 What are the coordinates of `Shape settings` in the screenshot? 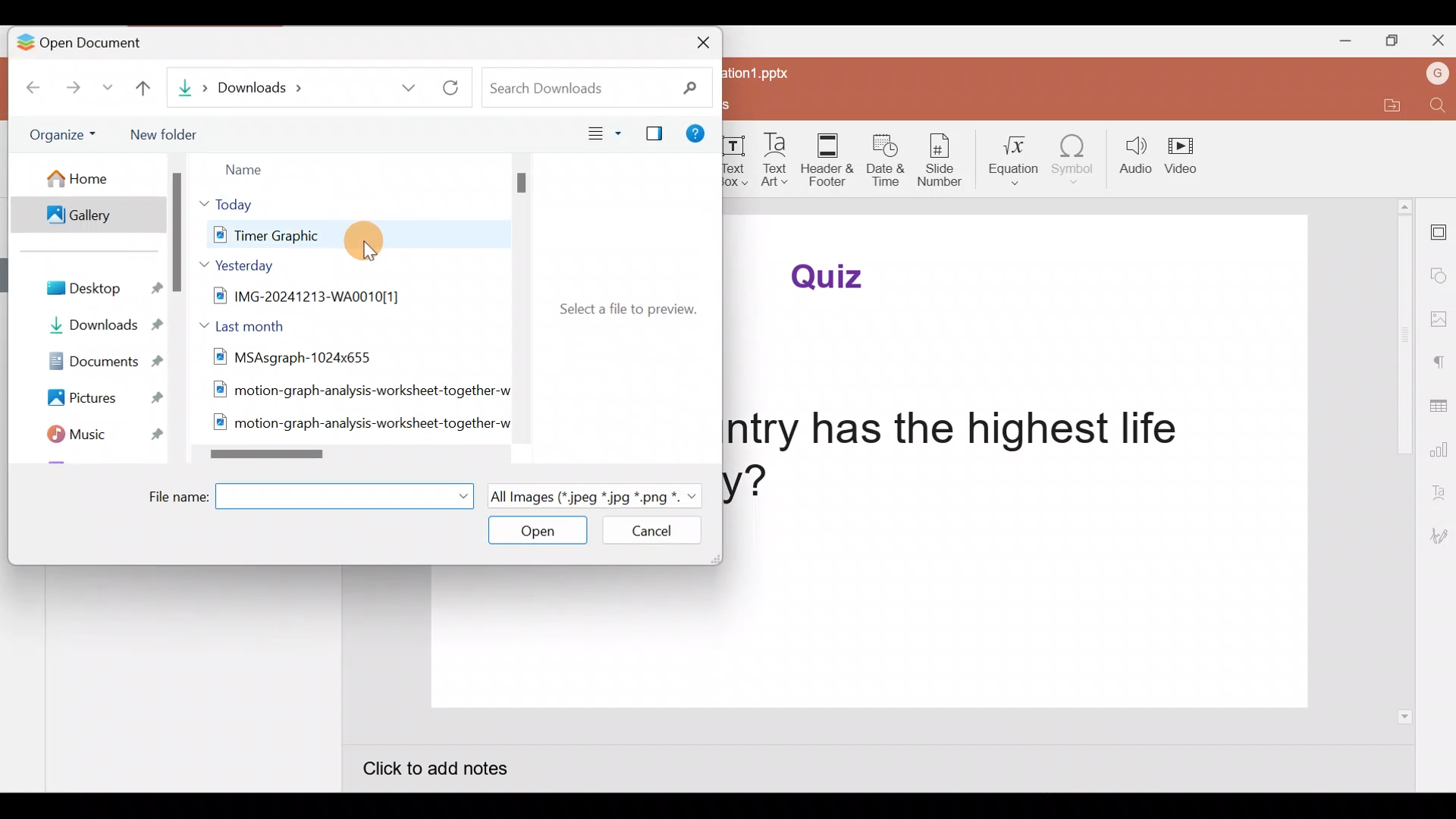 It's located at (1439, 275).